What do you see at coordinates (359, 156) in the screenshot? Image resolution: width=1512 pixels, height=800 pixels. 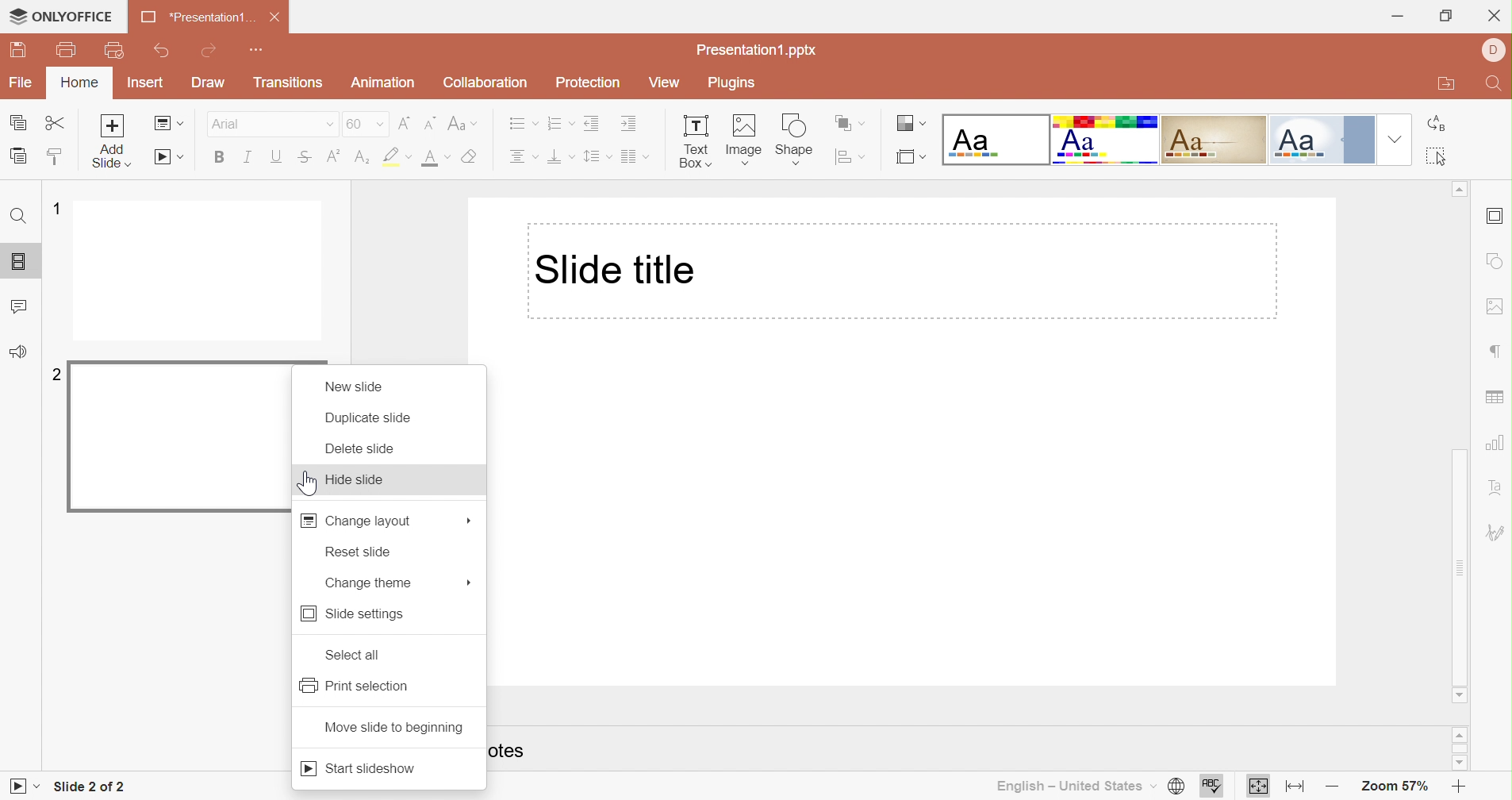 I see `Subscript` at bounding box center [359, 156].